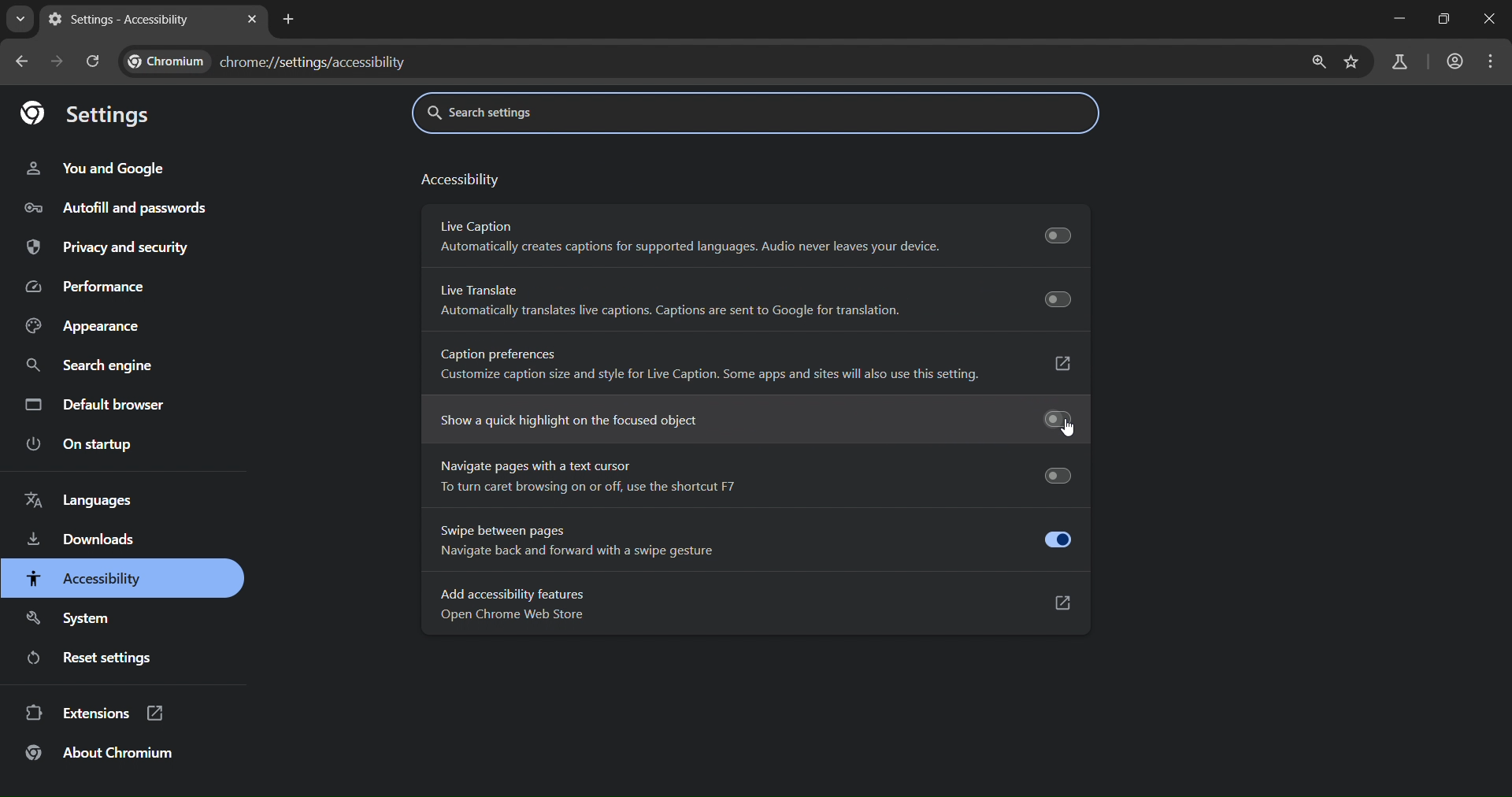 Image resolution: width=1512 pixels, height=797 pixels. I want to click on Toggle, so click(1058, 235).